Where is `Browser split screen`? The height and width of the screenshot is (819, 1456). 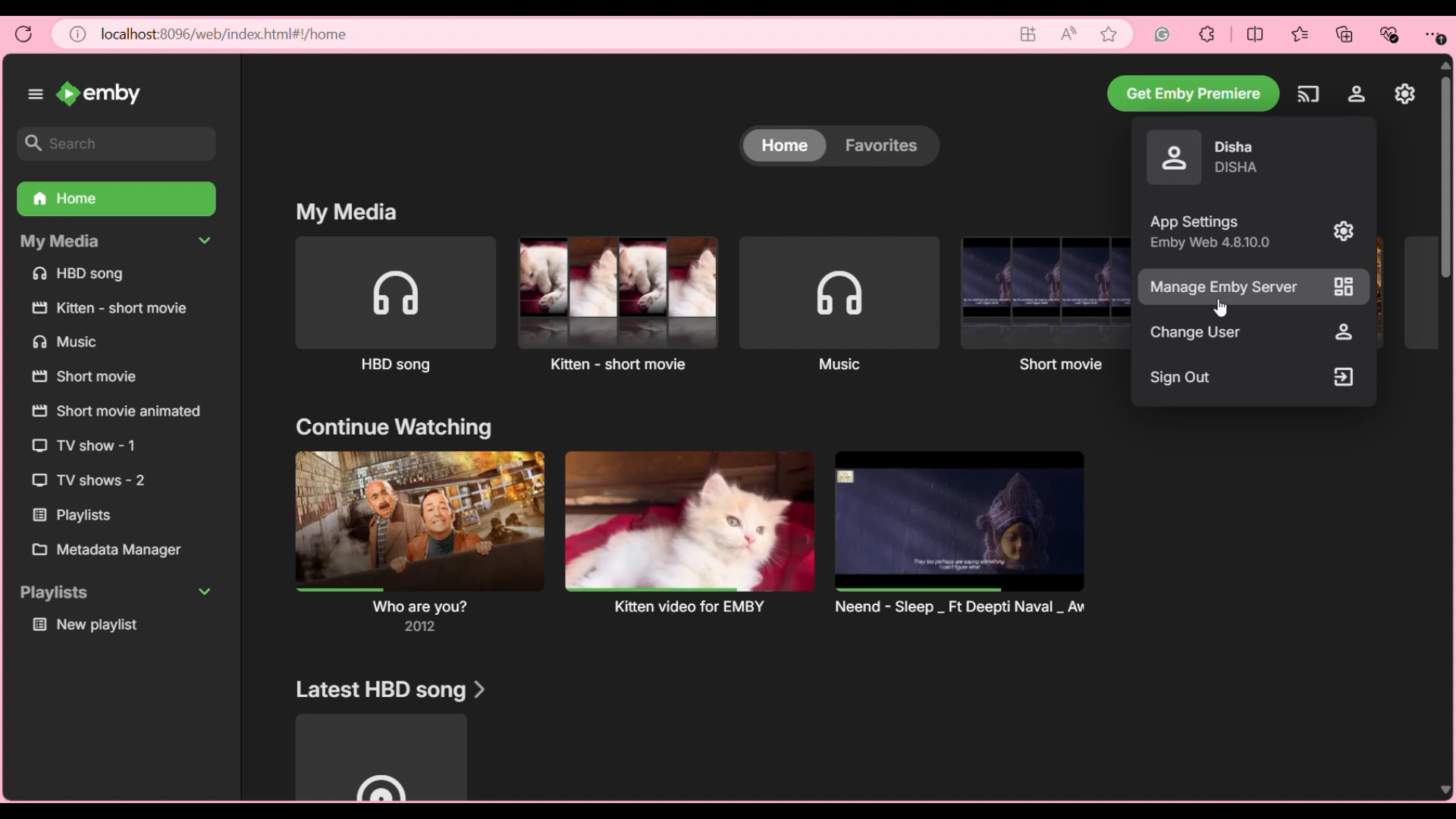
Browser split screen is located at coordinates (1256, 34).